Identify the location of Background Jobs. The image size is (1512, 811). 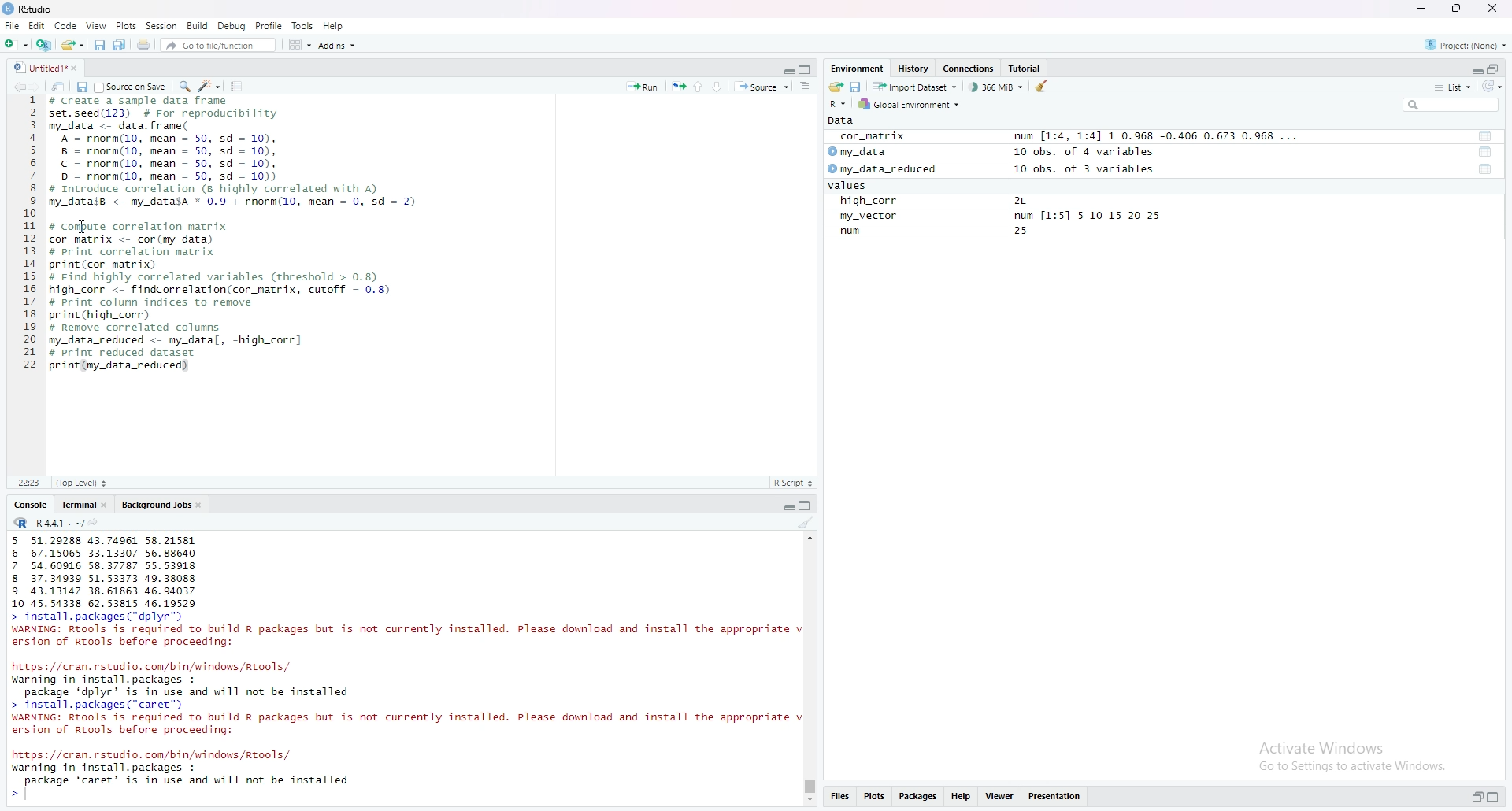
(157, 505).